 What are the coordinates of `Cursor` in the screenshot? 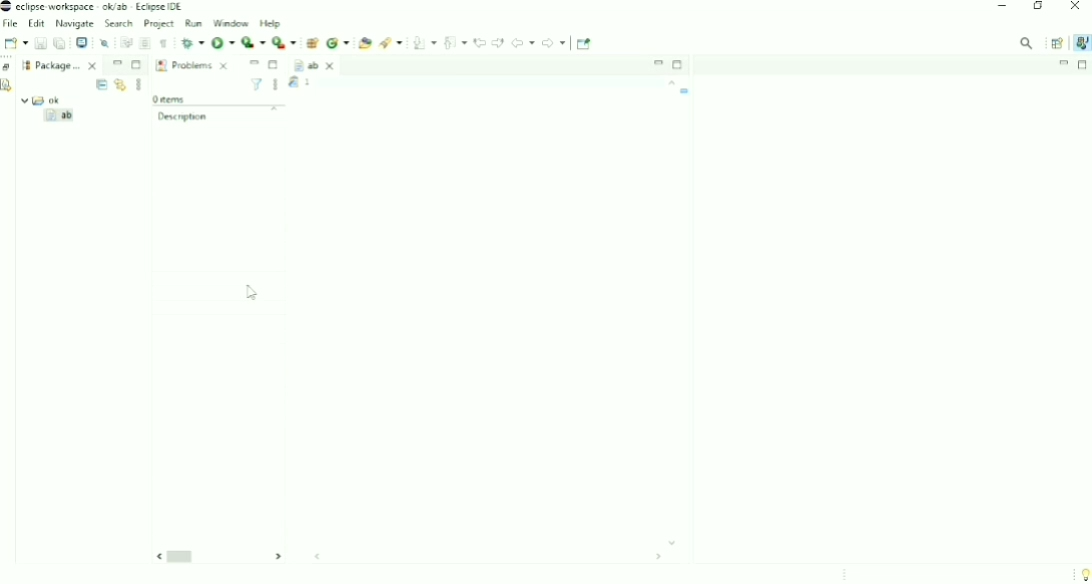 It's located at (251, 291).